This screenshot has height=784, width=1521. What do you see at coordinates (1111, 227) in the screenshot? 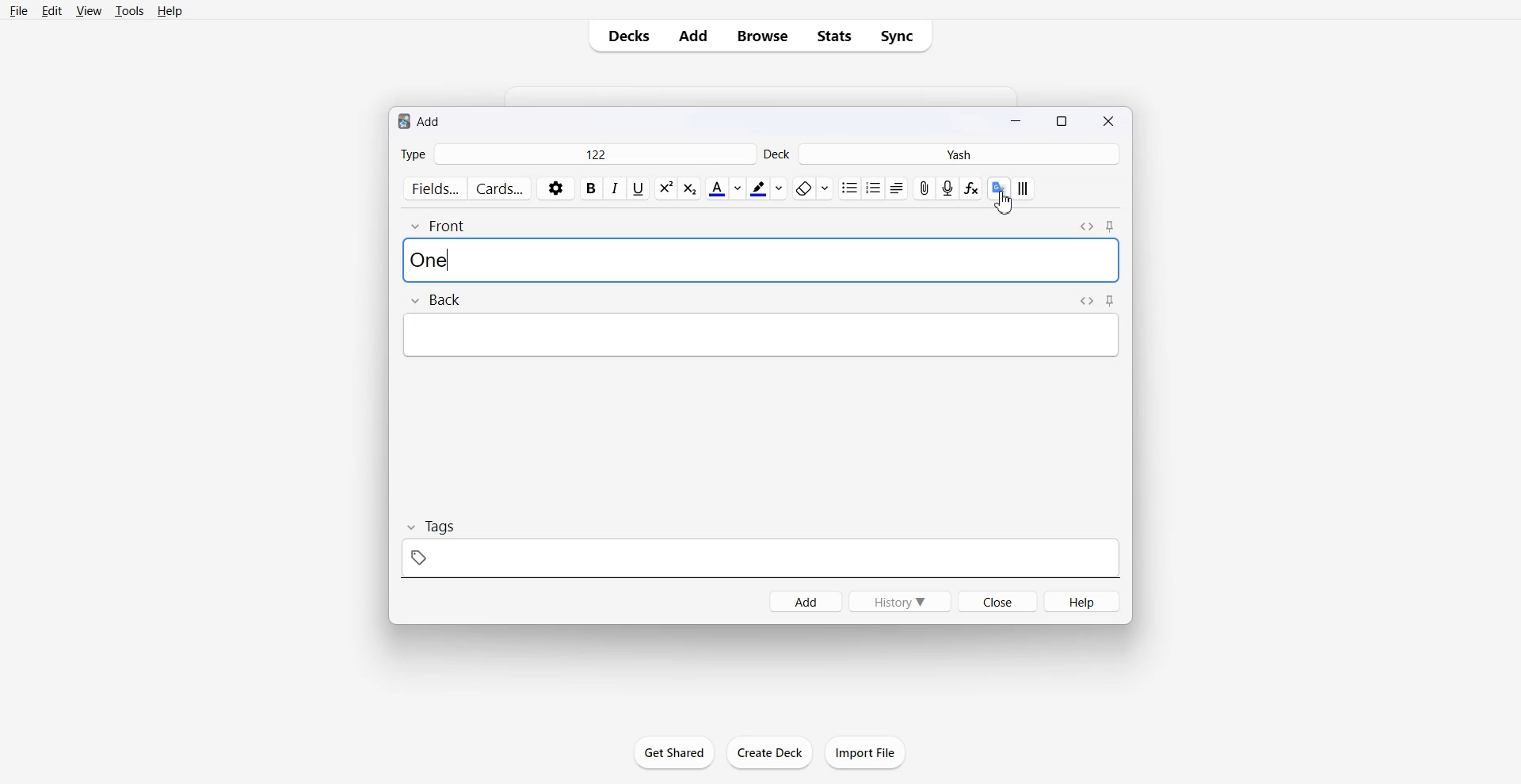
I see `Toggle sticky` at bounding box center [1111, 227].